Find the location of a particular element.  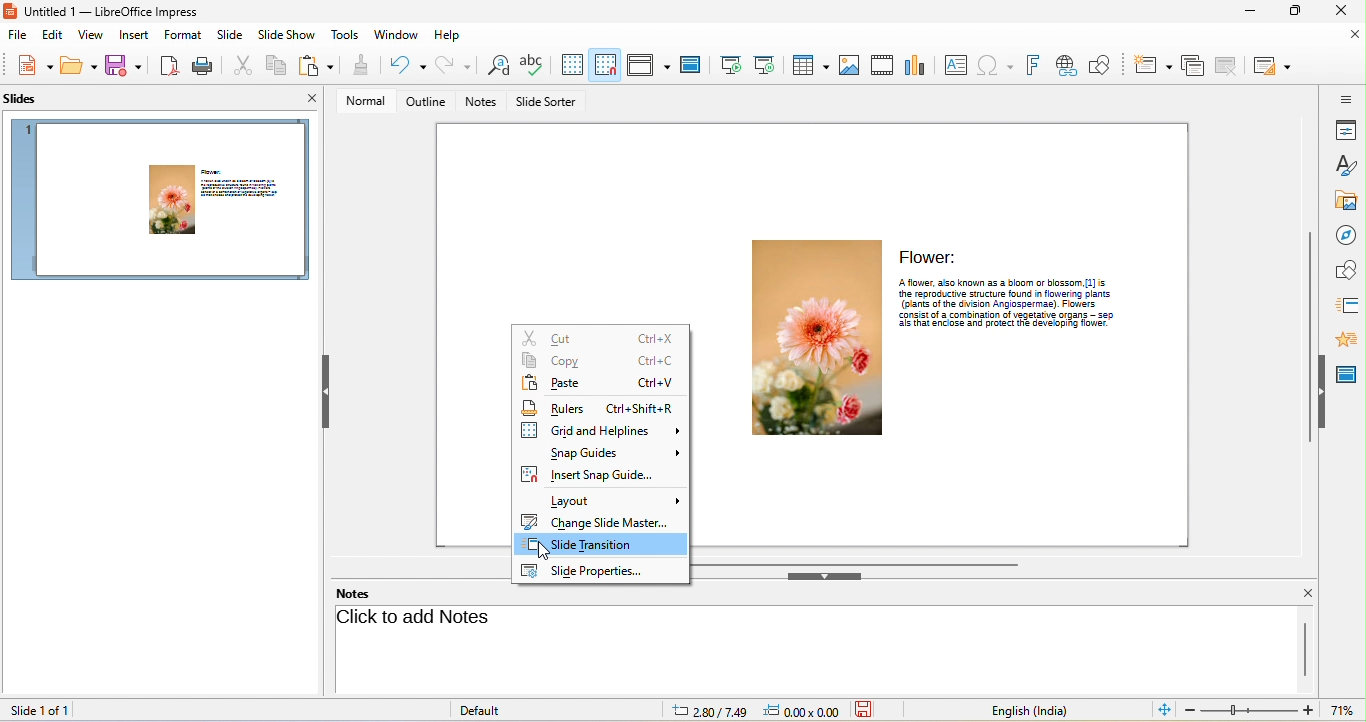

slide 1 of 1 is located at coordinates (38, 710).